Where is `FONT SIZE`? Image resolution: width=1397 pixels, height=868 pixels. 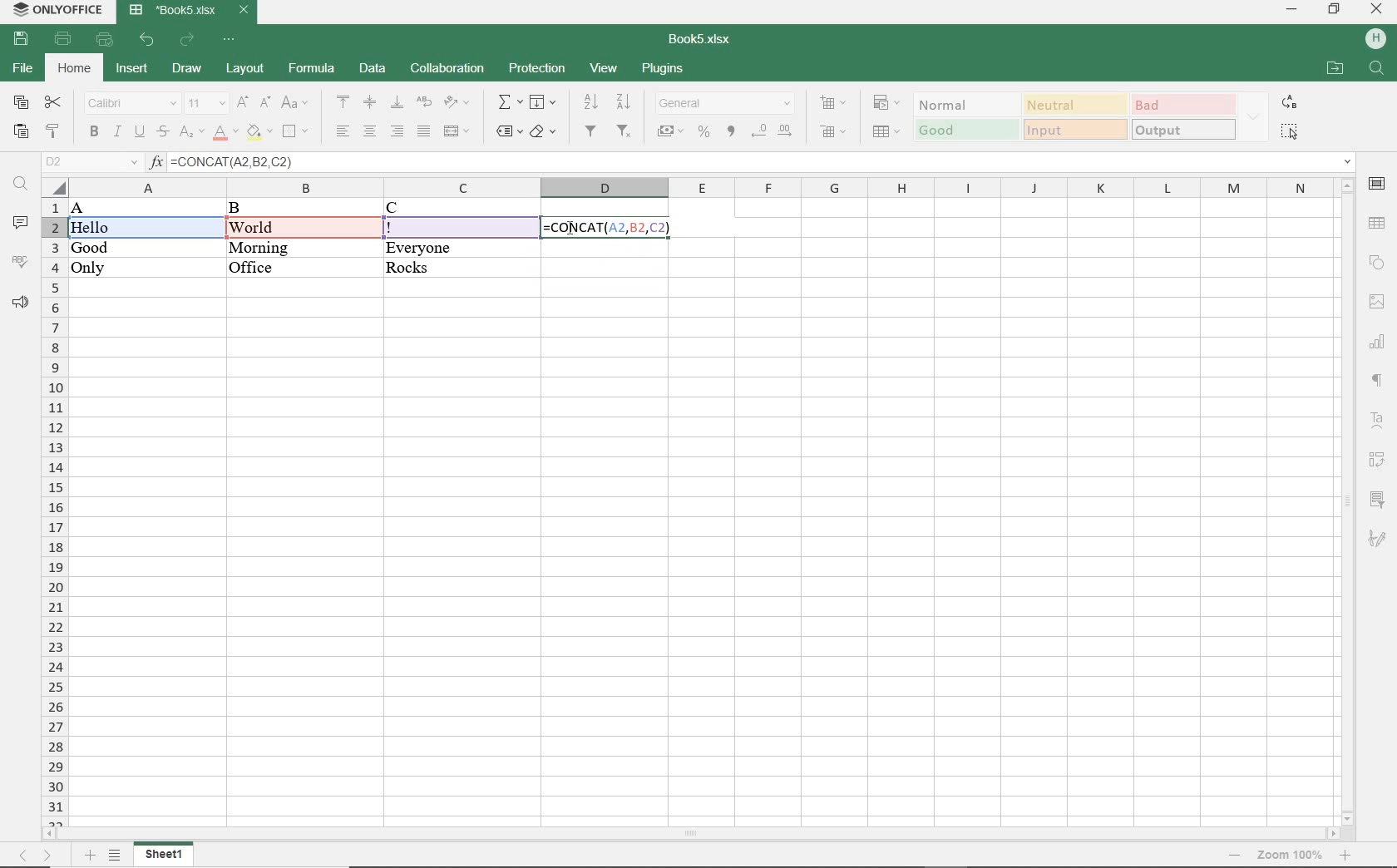
FONT SIZE is located at coordinates (206, 103).